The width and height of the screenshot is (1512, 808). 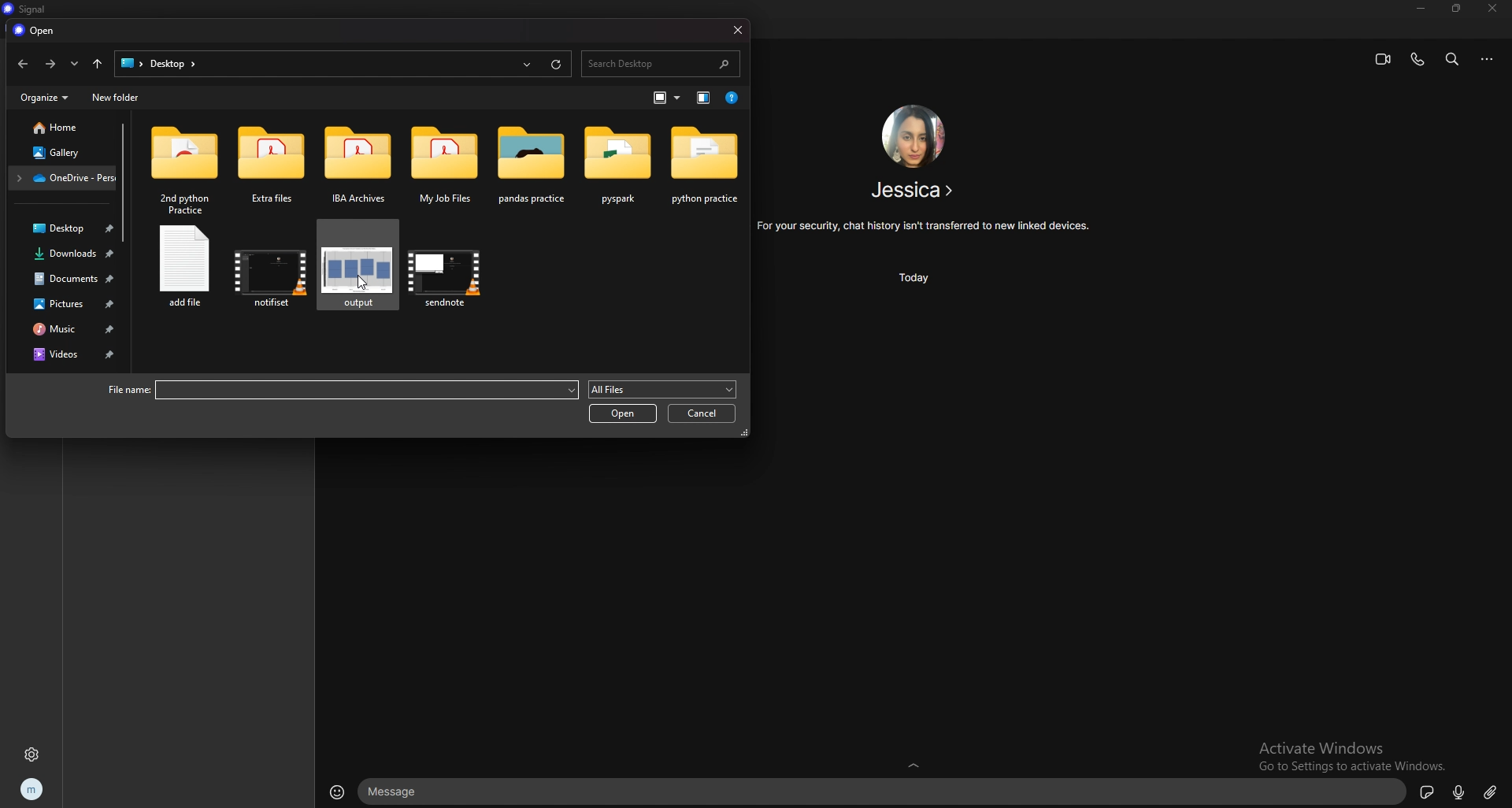 What do you see at coordinates (62, 152) in the screenshot?
I see `gallery` at bounding box center [62, 152].